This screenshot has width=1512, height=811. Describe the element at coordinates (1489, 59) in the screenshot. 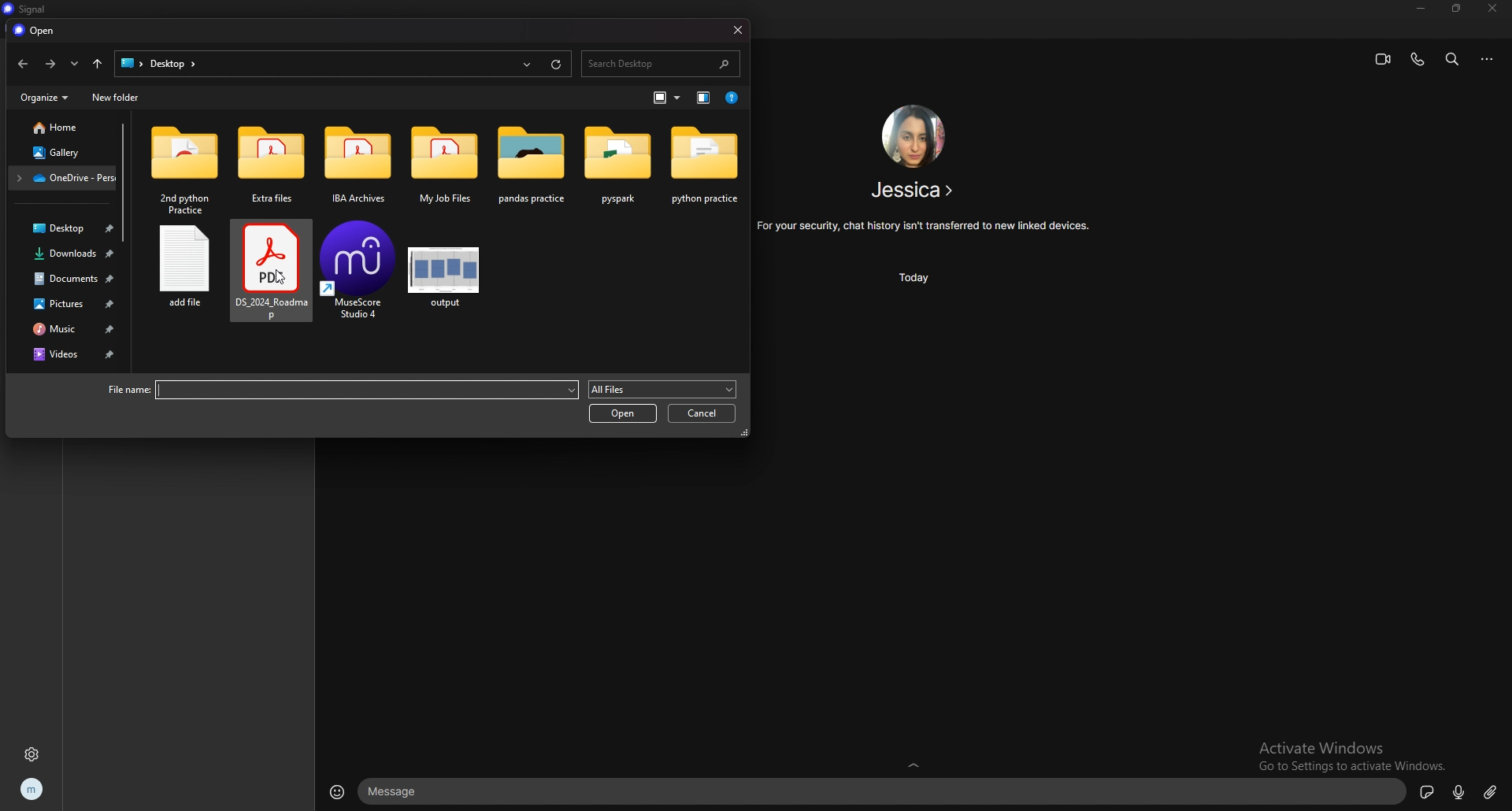

I see `options` at that location.